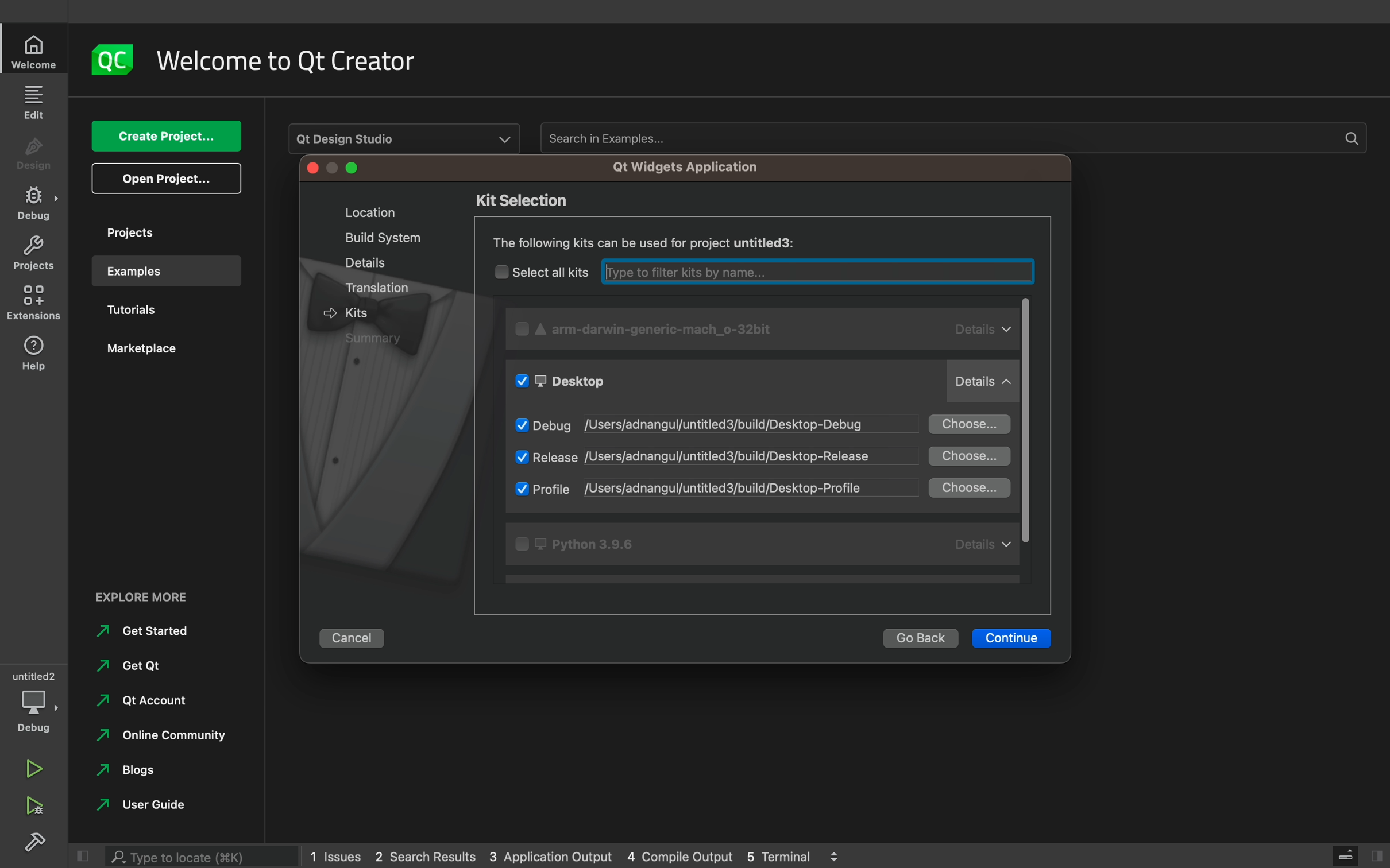 Image resolution: width=1390 pixels, height=868 pixels. What do you see at coordinates (144, 632) in the screenshot?
I see `` at bounding box center [144, 632].